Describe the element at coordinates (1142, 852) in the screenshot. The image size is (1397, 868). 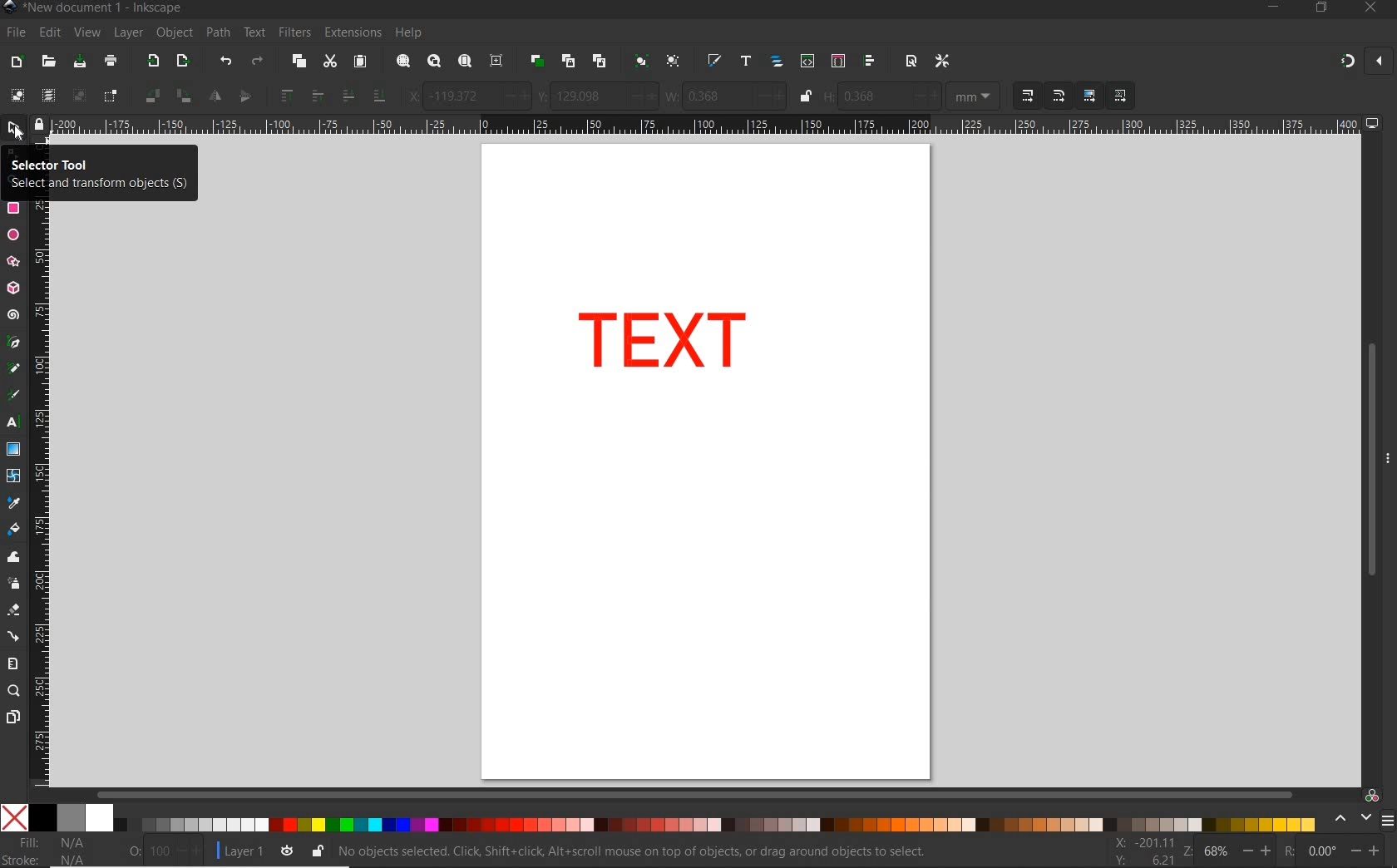
I see `CURSOR COORDINATES` at that location.